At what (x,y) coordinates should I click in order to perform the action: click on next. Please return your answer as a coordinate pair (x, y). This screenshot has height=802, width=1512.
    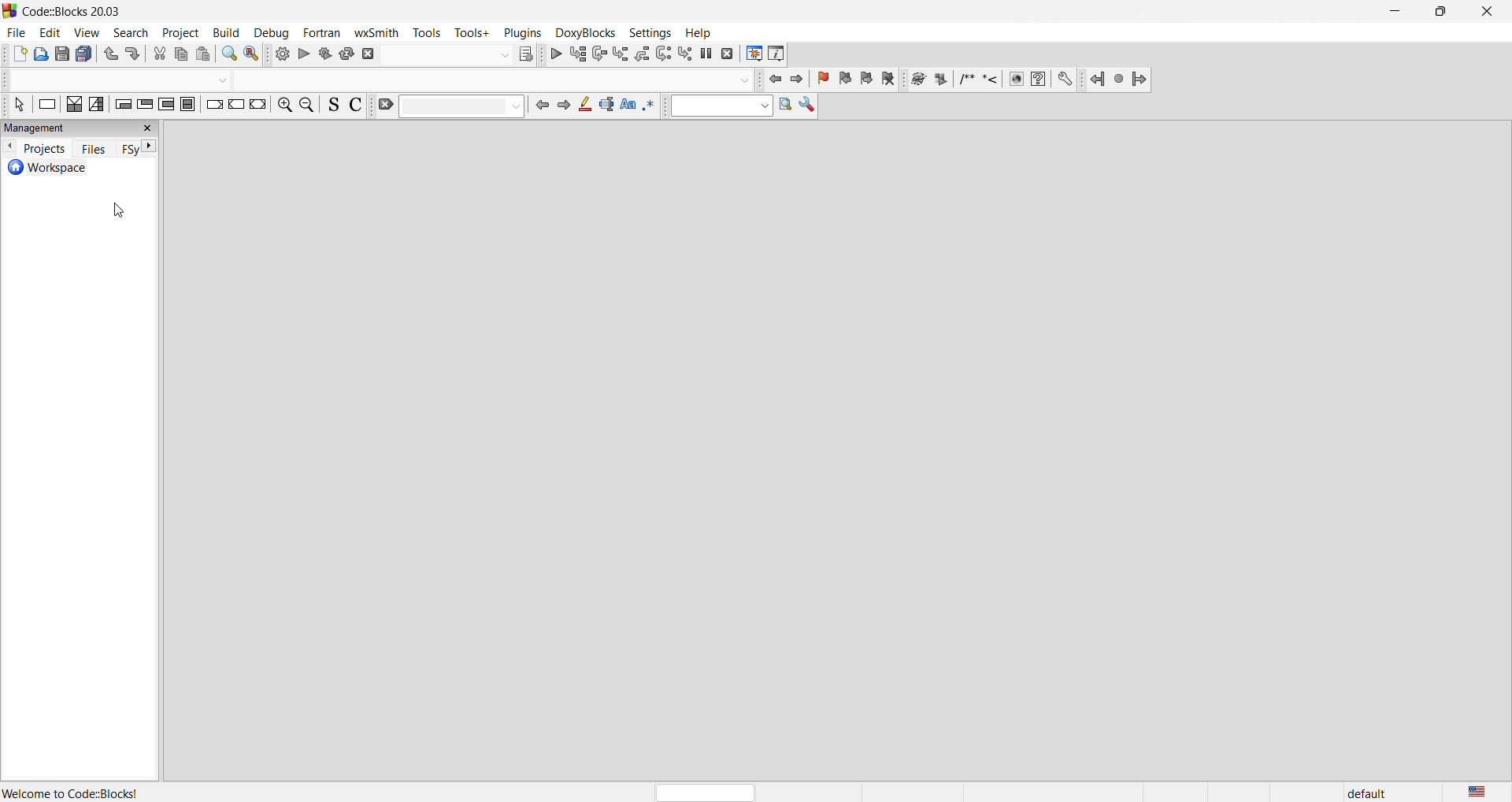
    Looking at the image, I should click on (562, 106).